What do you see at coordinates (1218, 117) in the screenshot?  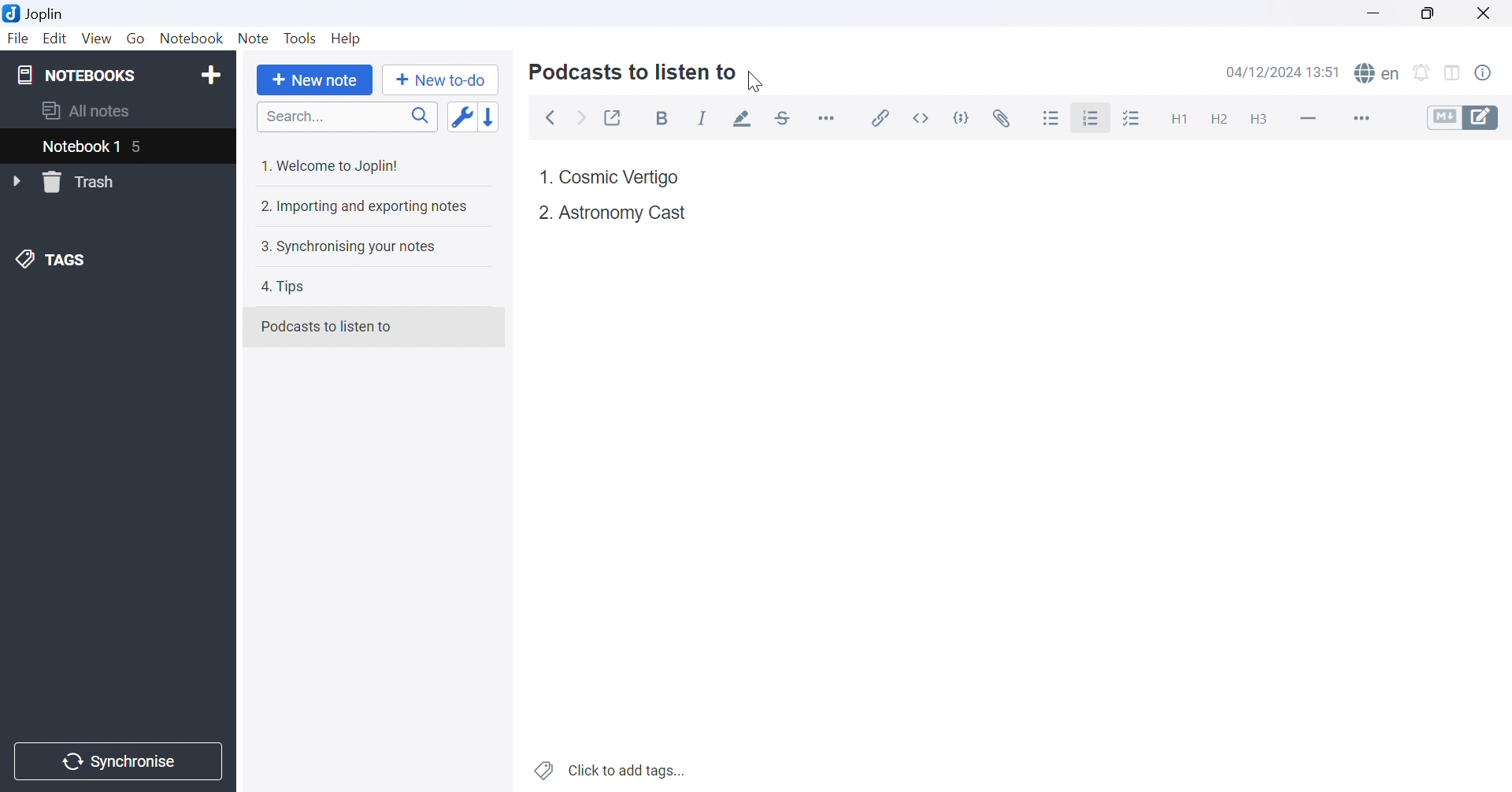 I see `Heading 2` at bounding box center [1218, 117].